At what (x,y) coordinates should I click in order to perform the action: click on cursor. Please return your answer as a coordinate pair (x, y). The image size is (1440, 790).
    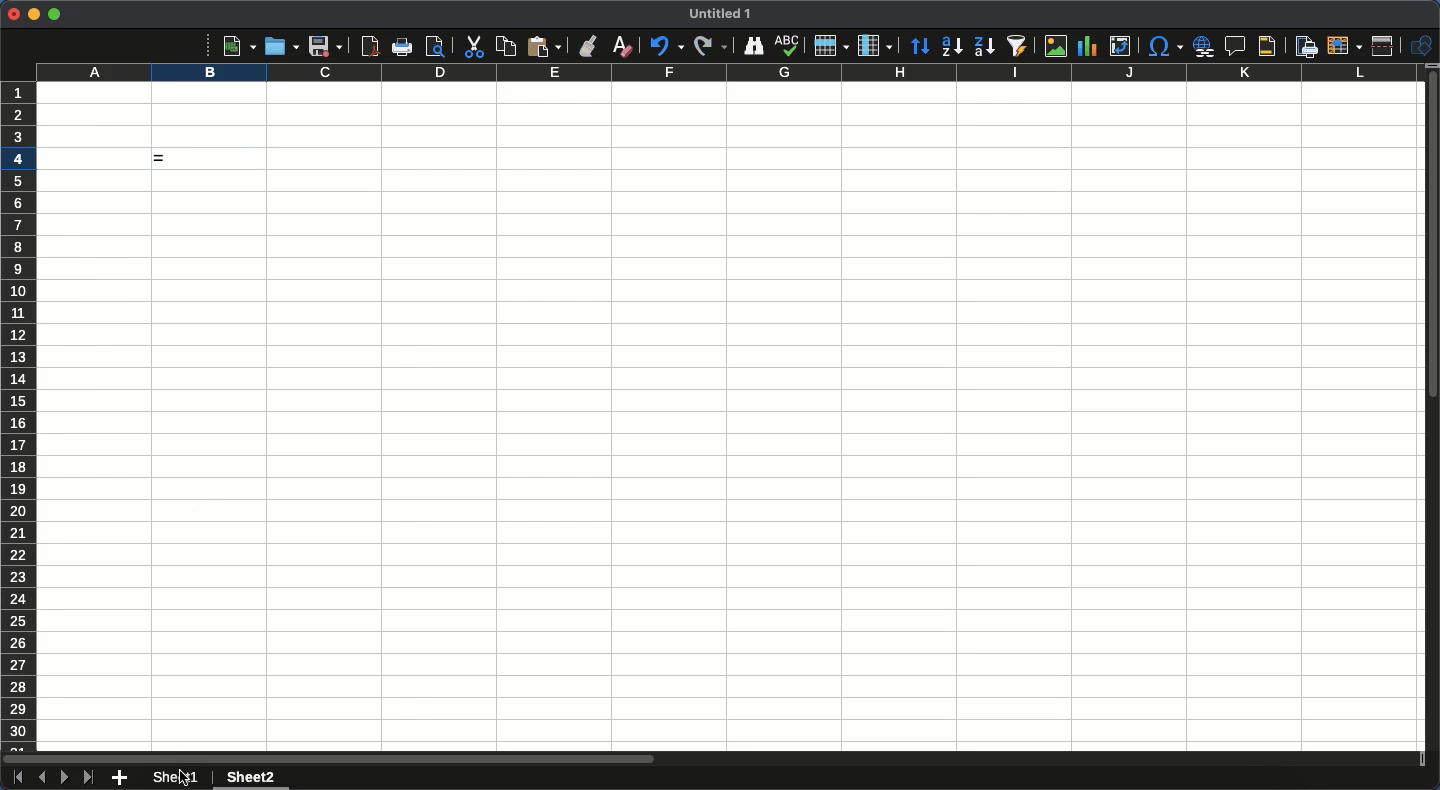
    Looking at the image, I should click on (184, 775).